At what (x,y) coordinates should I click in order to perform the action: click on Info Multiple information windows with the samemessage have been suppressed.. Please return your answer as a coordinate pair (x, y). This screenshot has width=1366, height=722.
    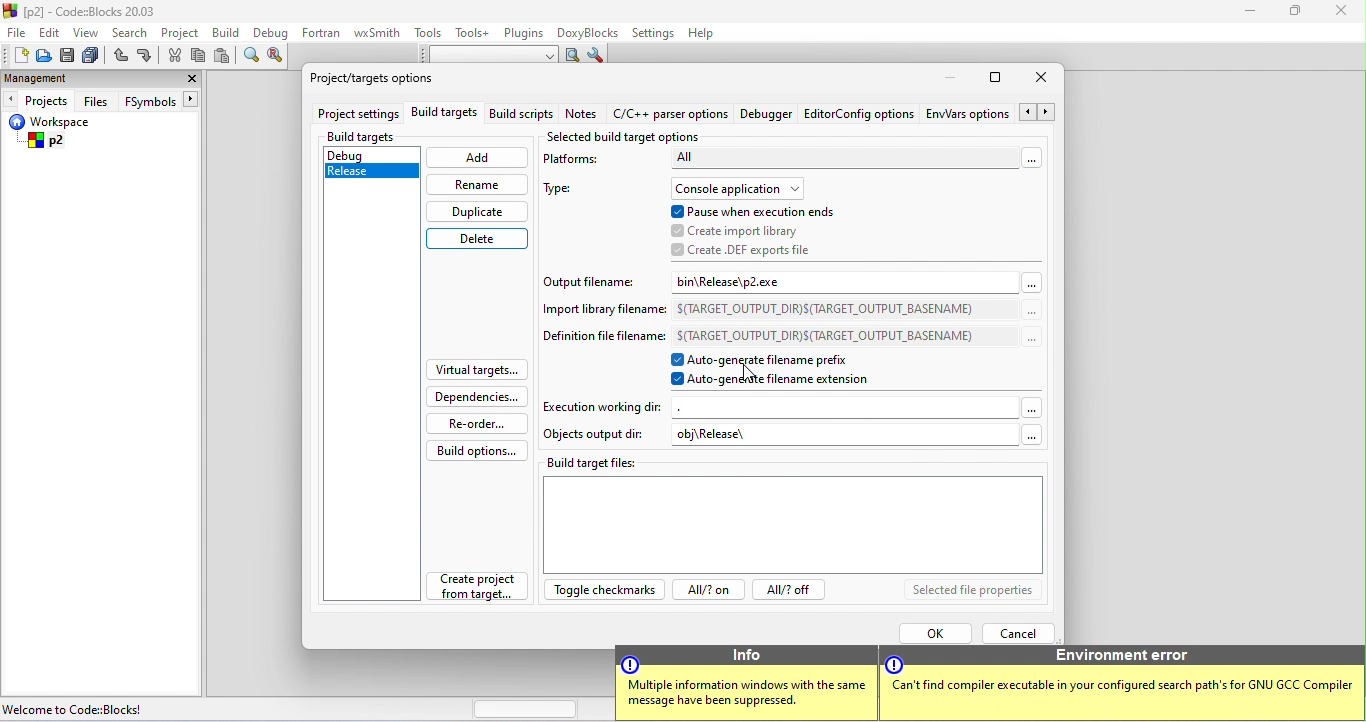
    Looking at the image, I should click on (744, 682).